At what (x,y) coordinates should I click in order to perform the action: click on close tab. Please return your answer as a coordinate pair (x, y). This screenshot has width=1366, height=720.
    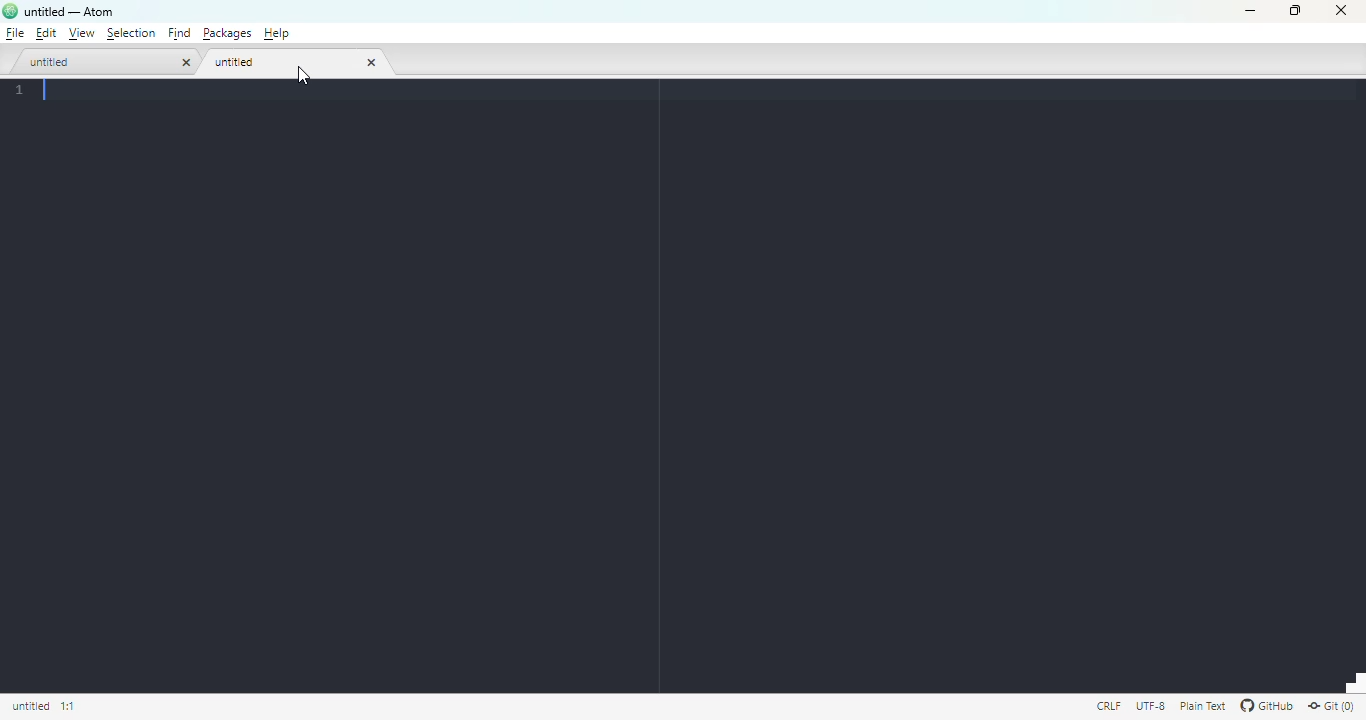
    Looking at the image, I should click on (371, 62).